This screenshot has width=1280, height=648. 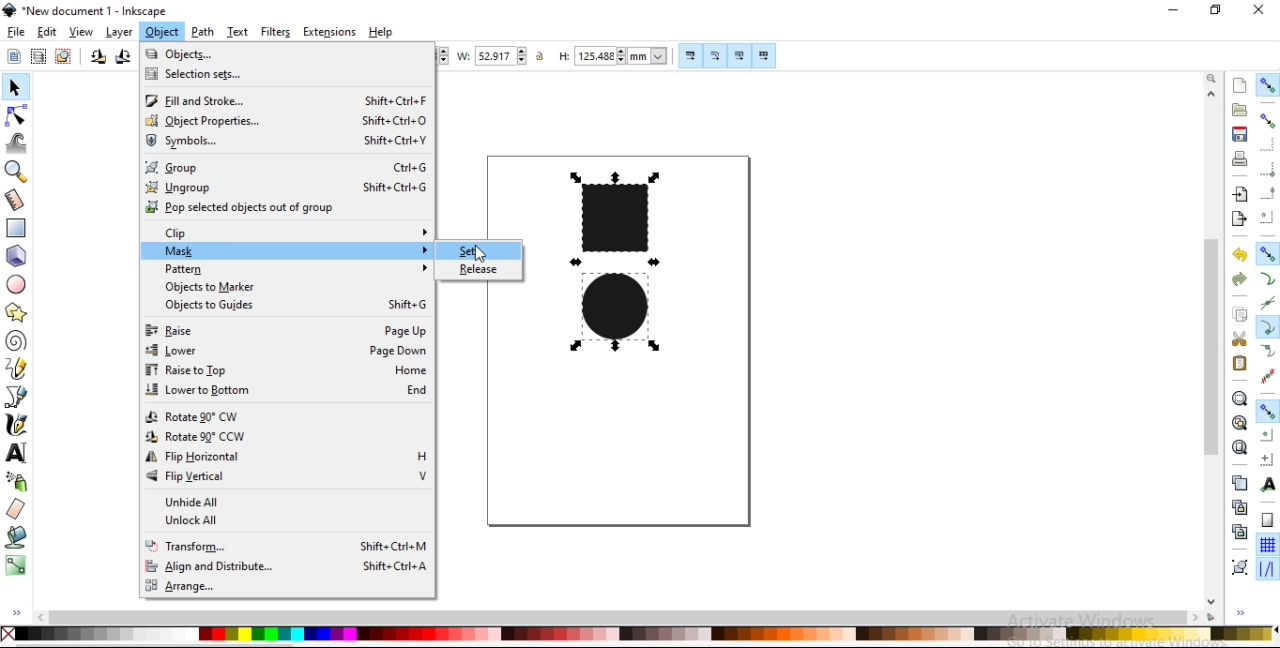 What do you see at coordinates (276, 31) in the screenshot?
I see `filters` at bounding box center [276, 31].